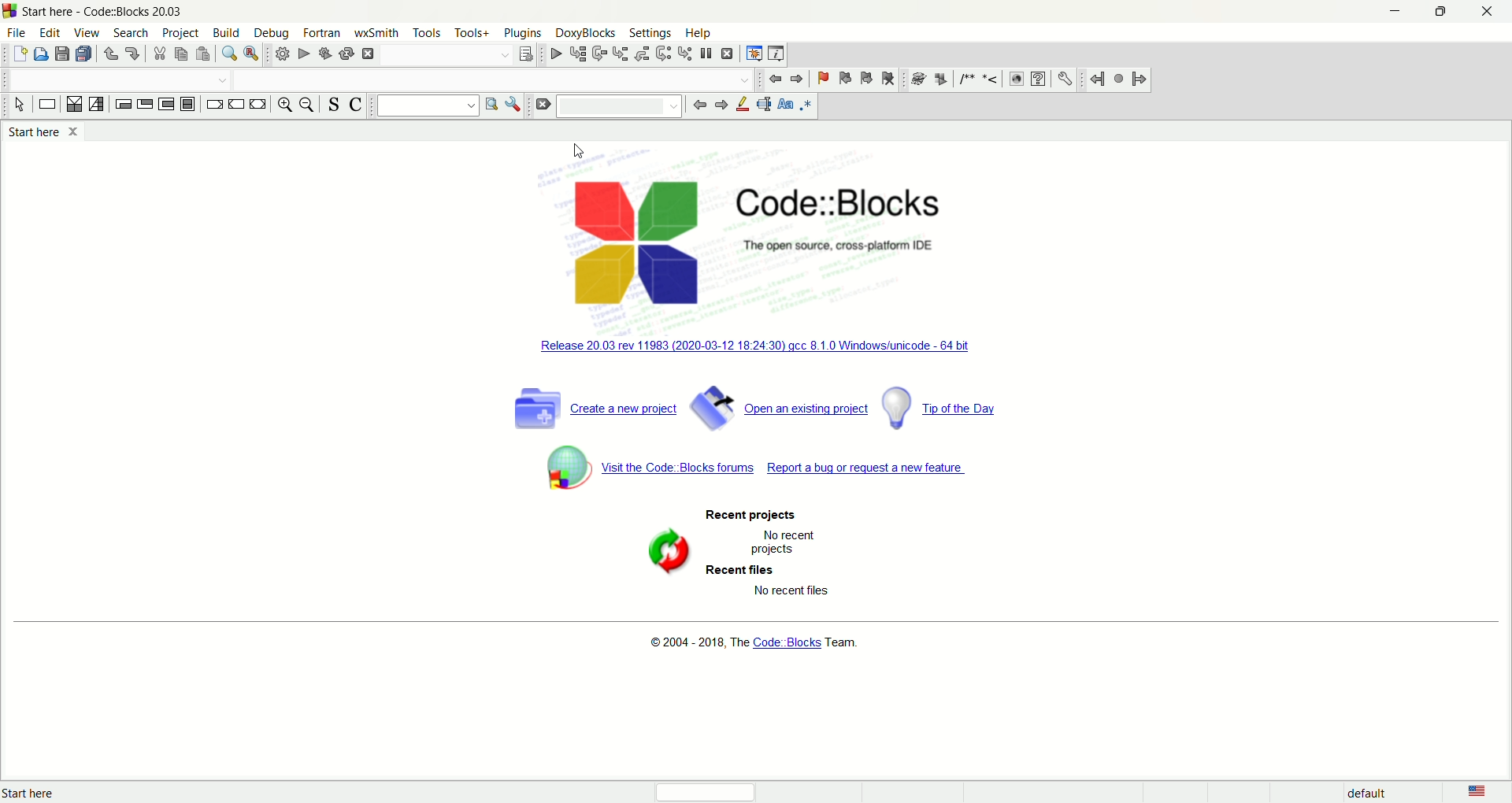 The height and width of the screenshot is (803, 1512). What do you see at coordinates (1395, 10) in the screenshot?
I see `minimize` at bounding box center [1395, 10].